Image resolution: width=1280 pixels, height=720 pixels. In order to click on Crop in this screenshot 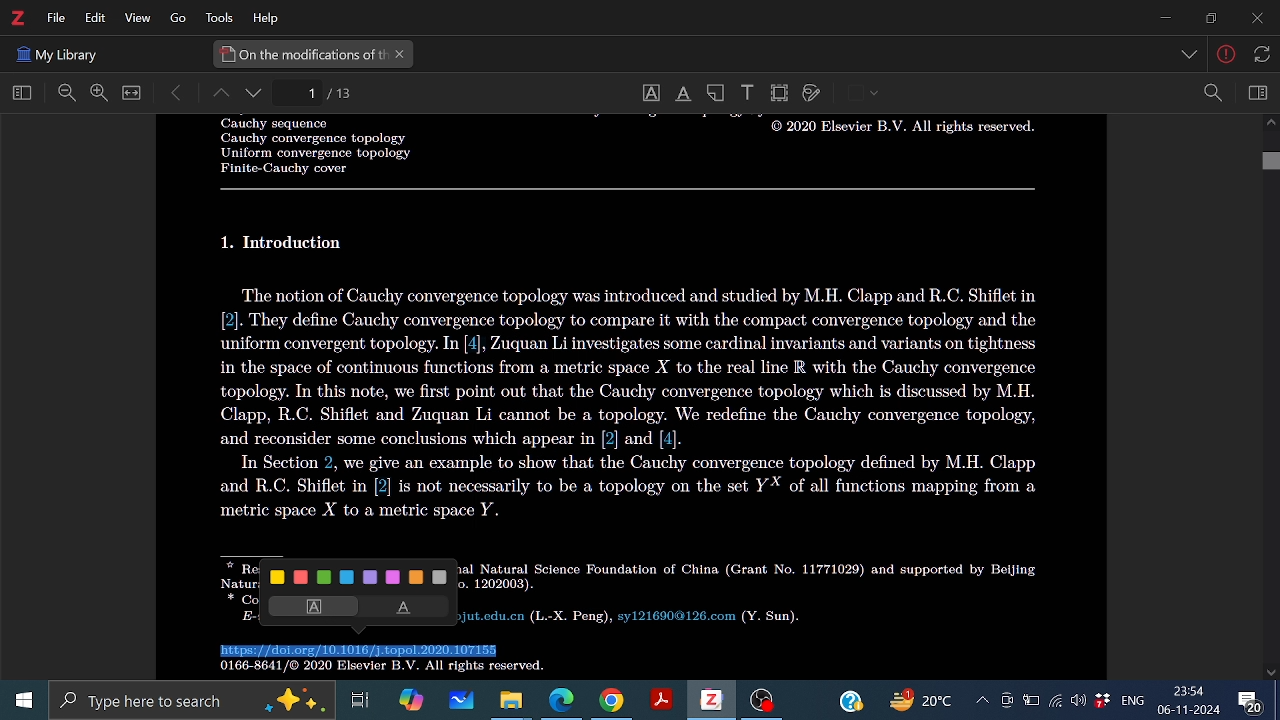, I will do `click(780, 93)`.